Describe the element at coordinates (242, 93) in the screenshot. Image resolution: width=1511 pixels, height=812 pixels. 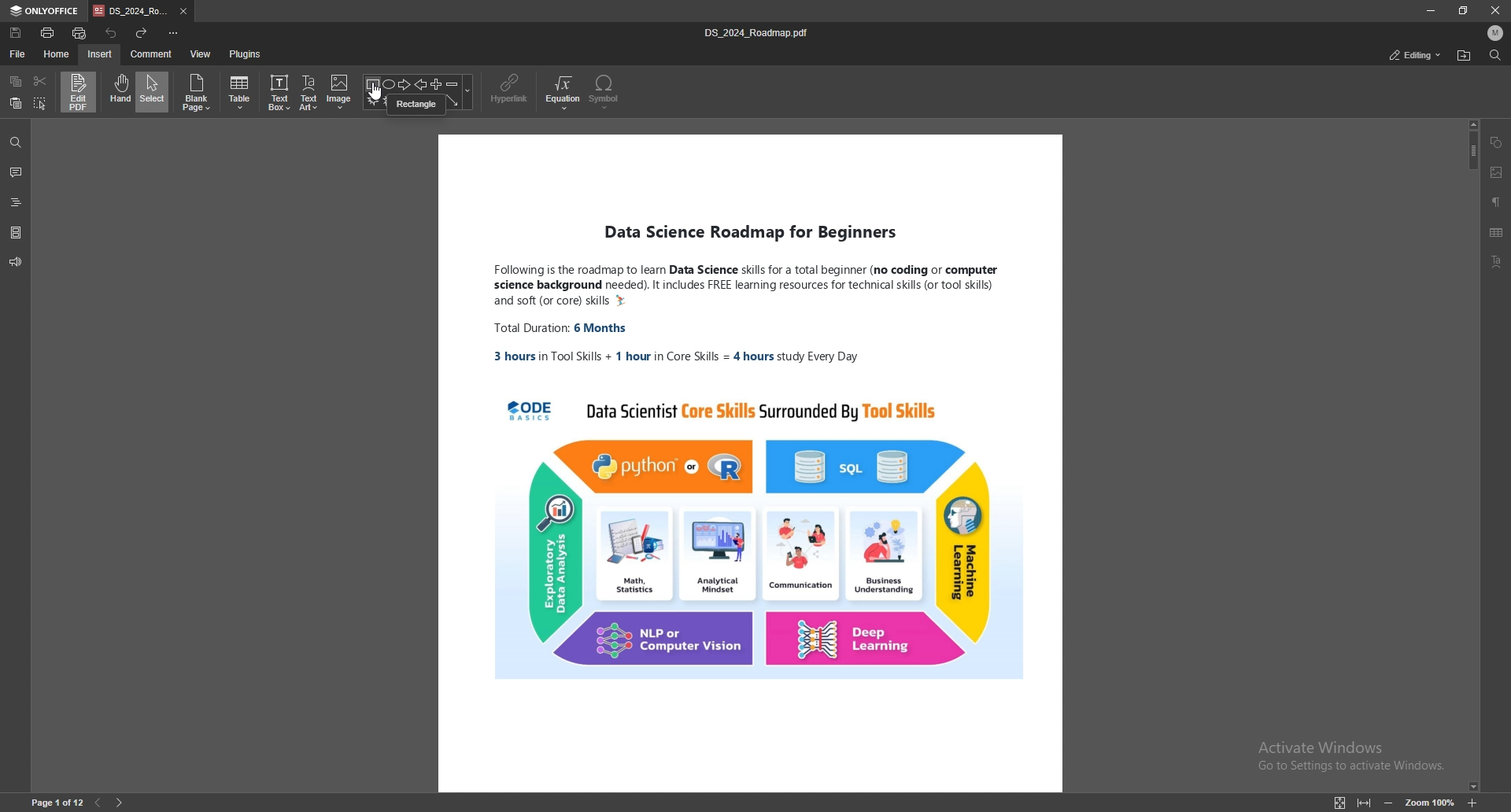
I see `table` at that location.